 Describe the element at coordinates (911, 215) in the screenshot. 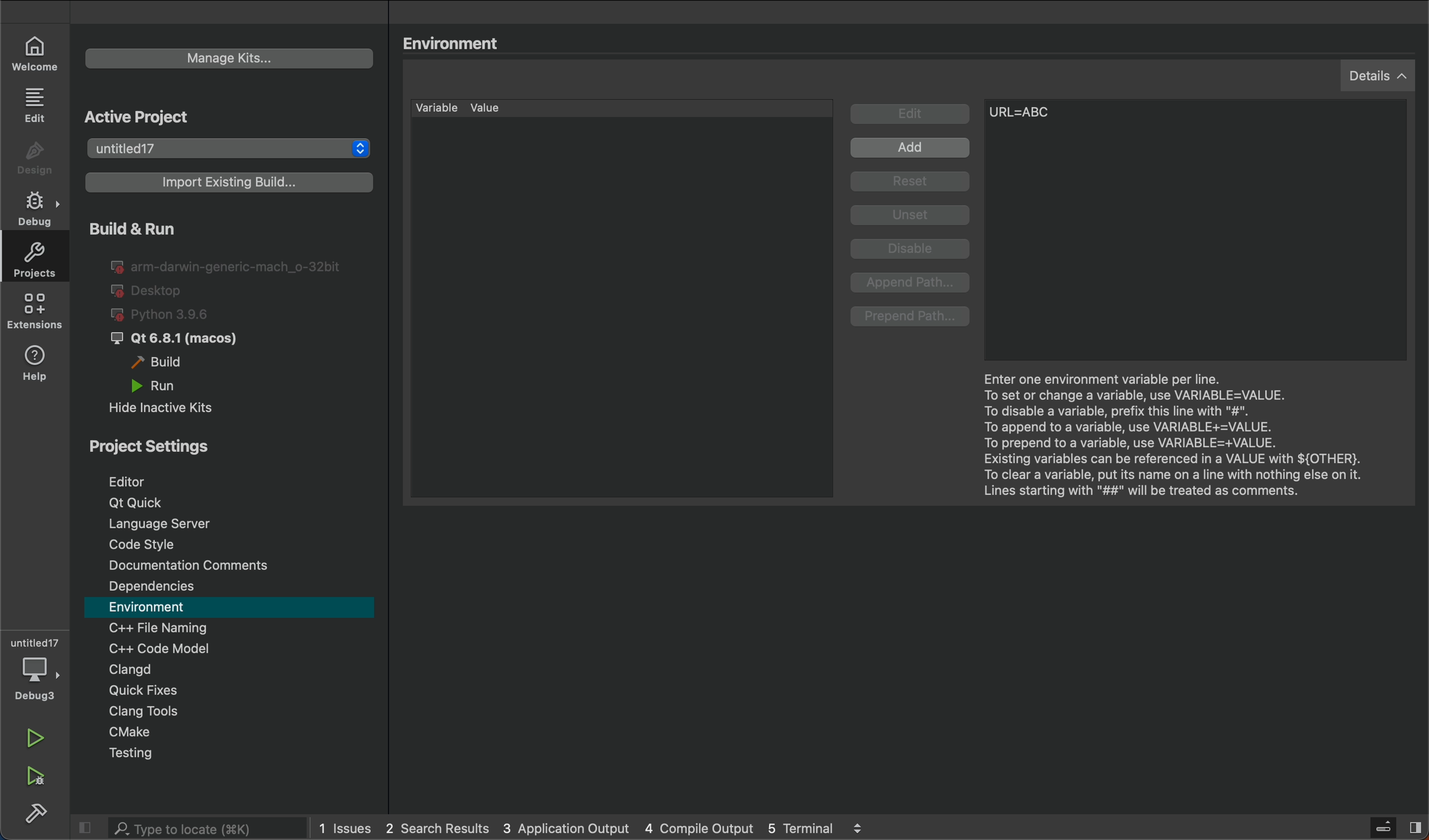

I see `Unset` at that location.